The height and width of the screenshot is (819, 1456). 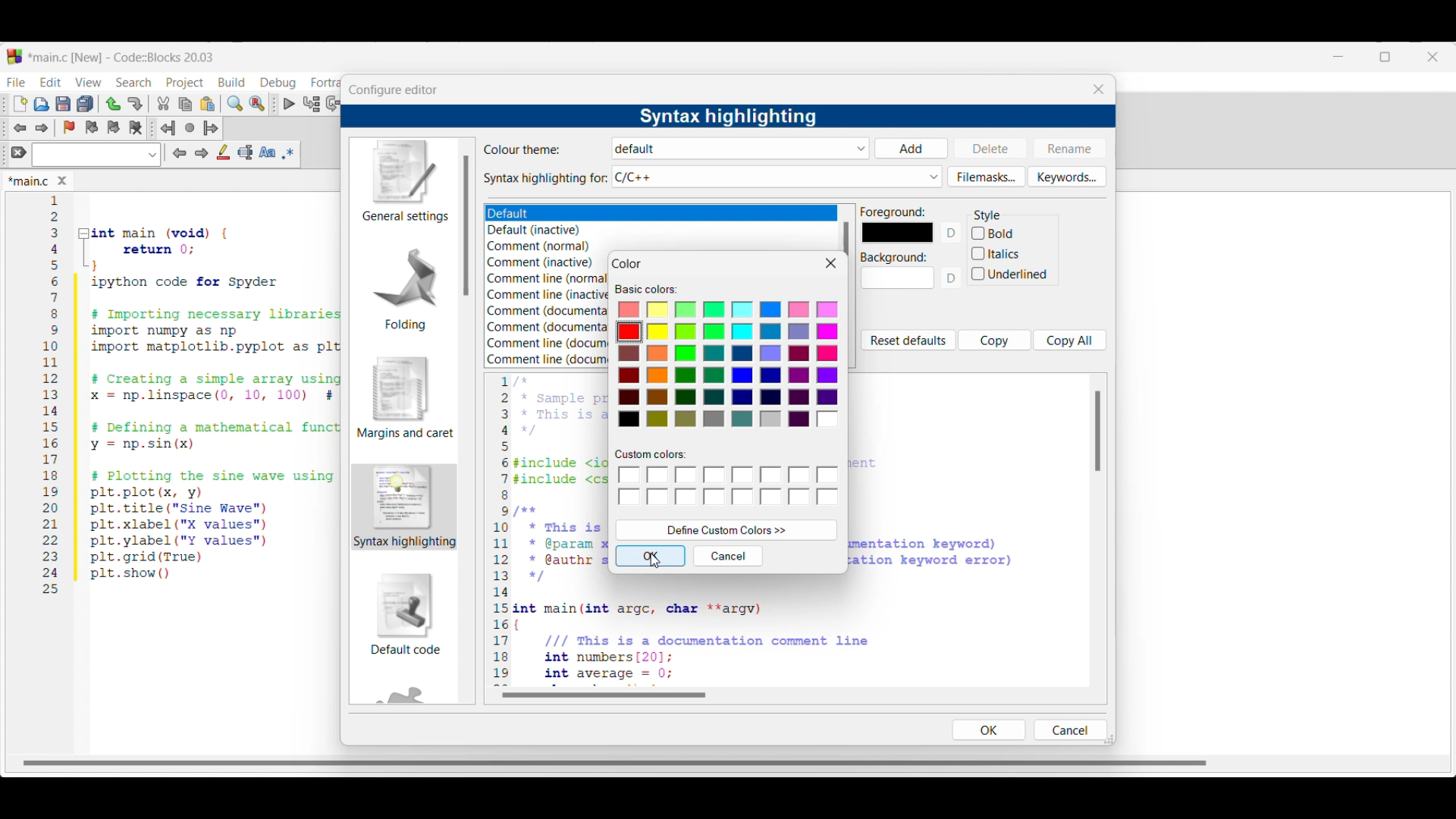 I want to click on Window title, so click(x=628, y=264).